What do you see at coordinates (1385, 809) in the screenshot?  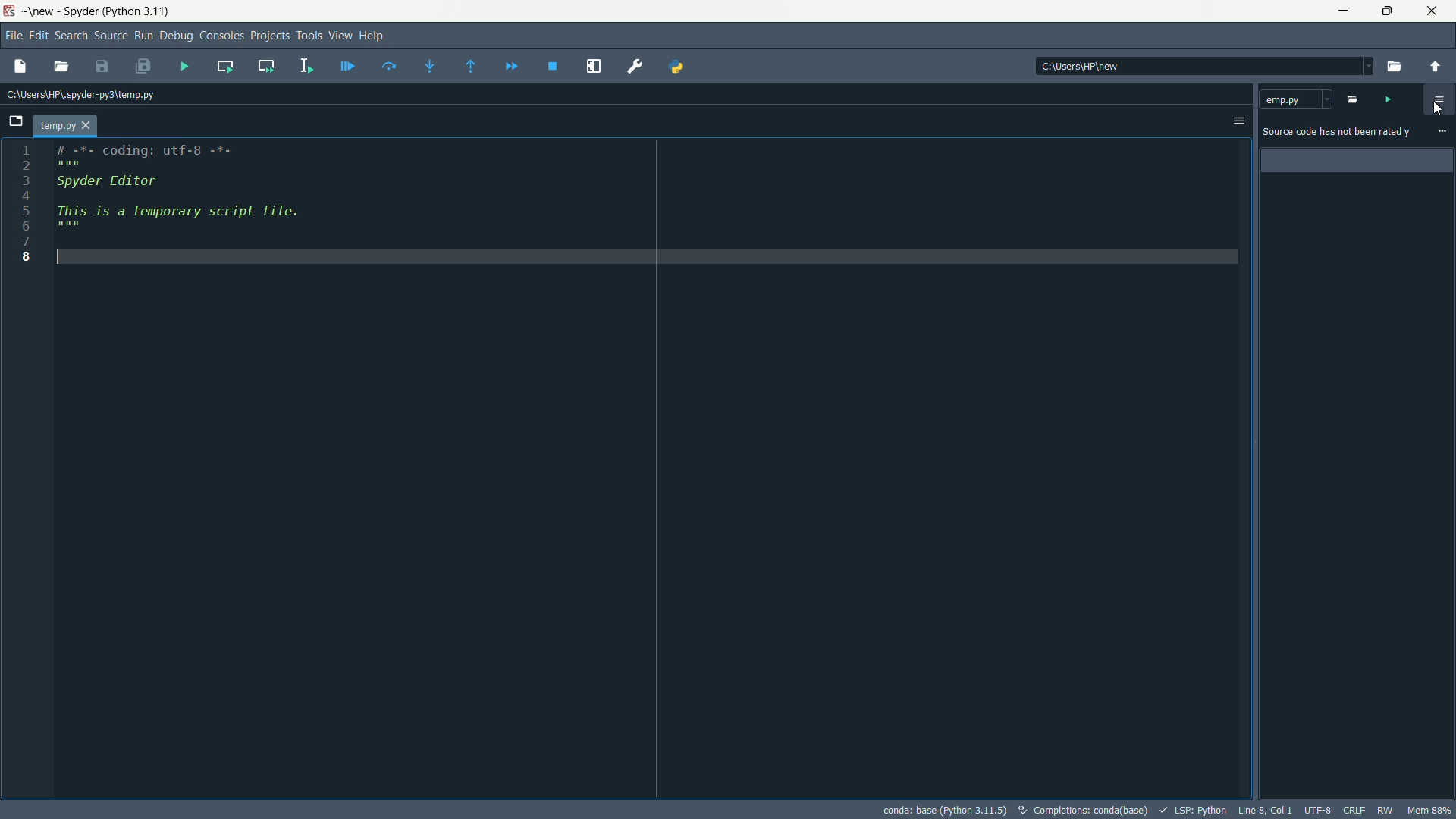 I see `rw` at bounding box center [1385, 809].